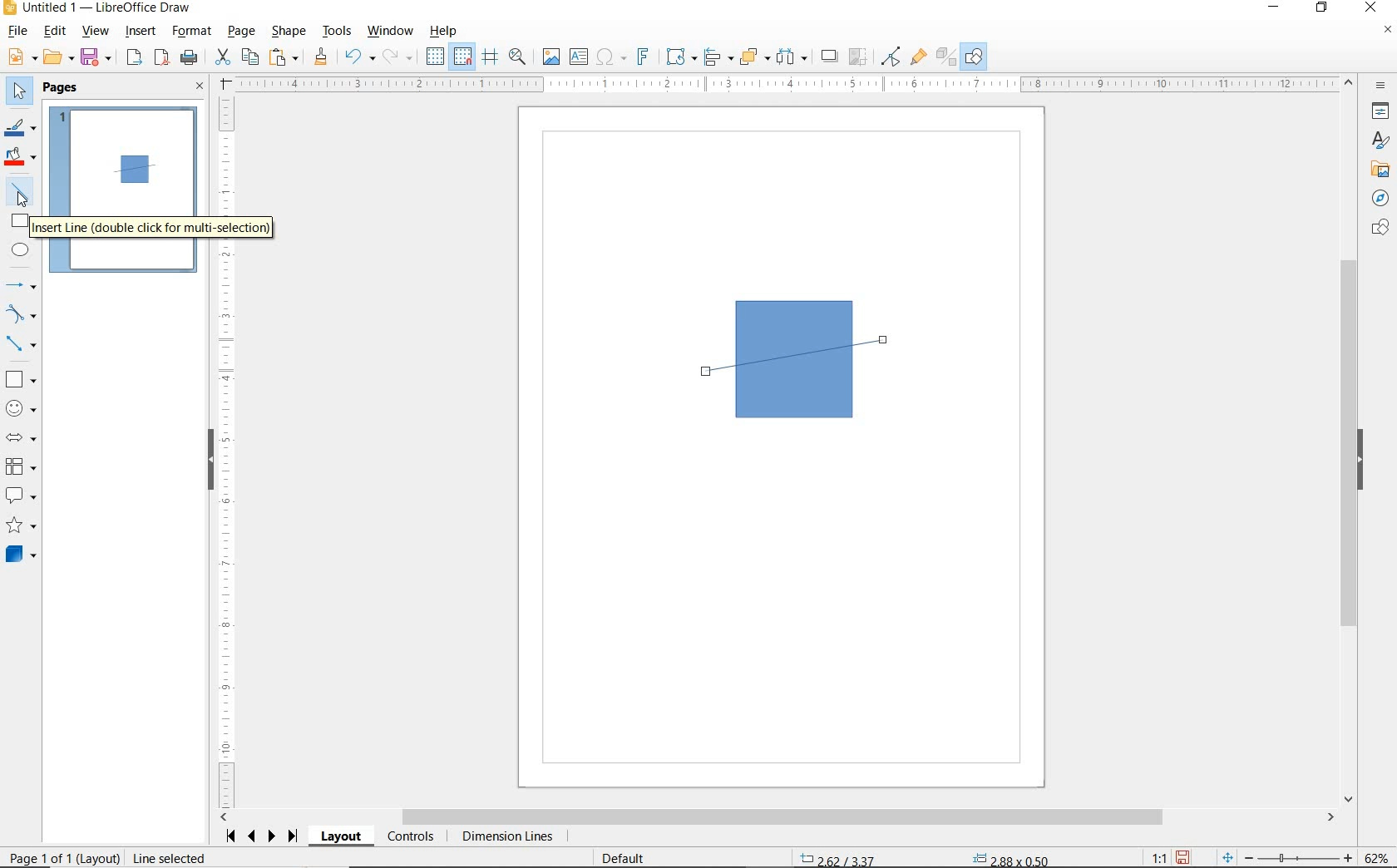 Image resolution: width=1397 pixels, height=868 pixels. Describe the element at coordinates (410, 837) in the screenshot. I see `CONTROLS` at that location.